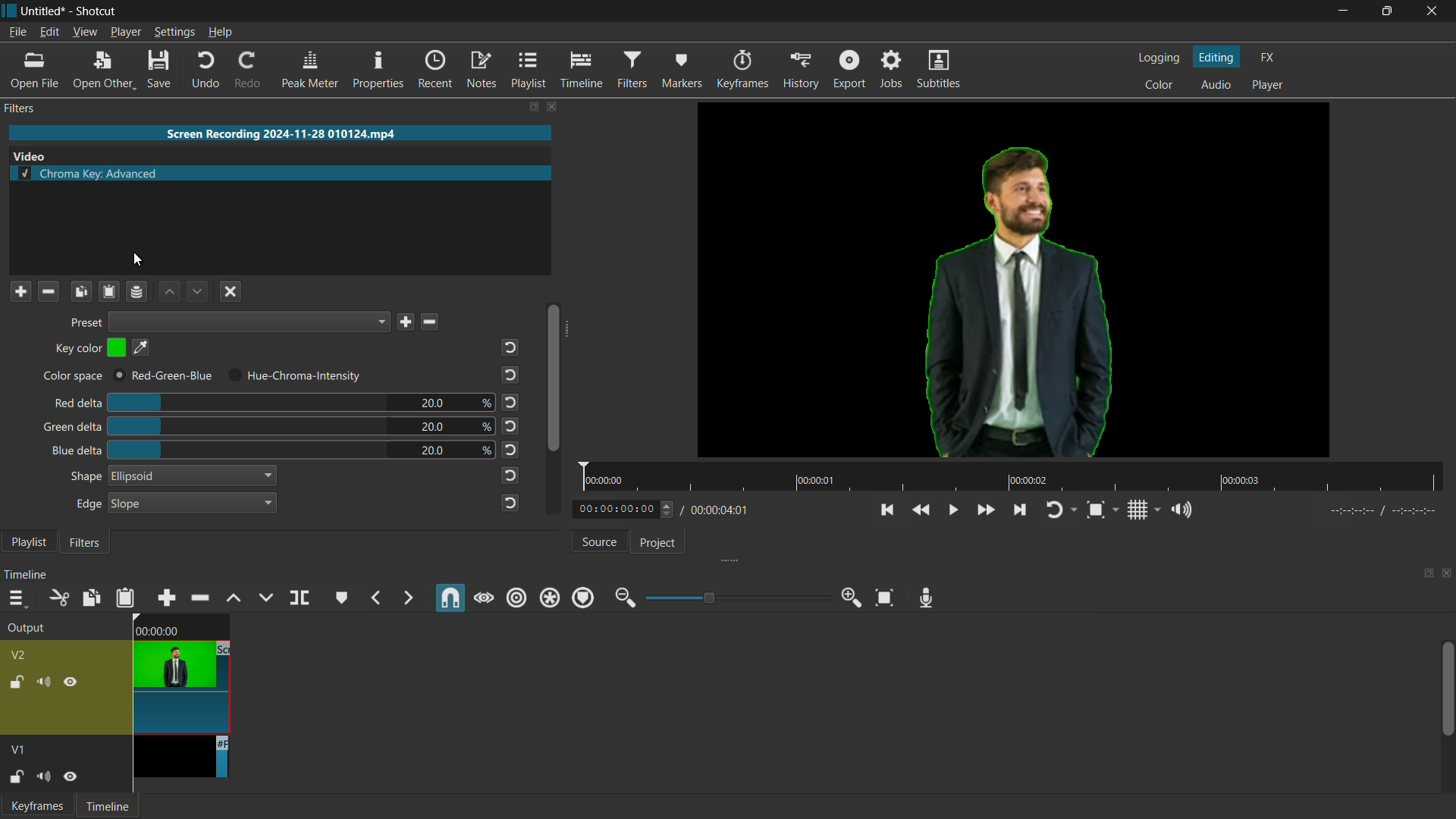  Describe the element at coordinates (174, 32) in the screenshot. I see `settings menu` at that location.